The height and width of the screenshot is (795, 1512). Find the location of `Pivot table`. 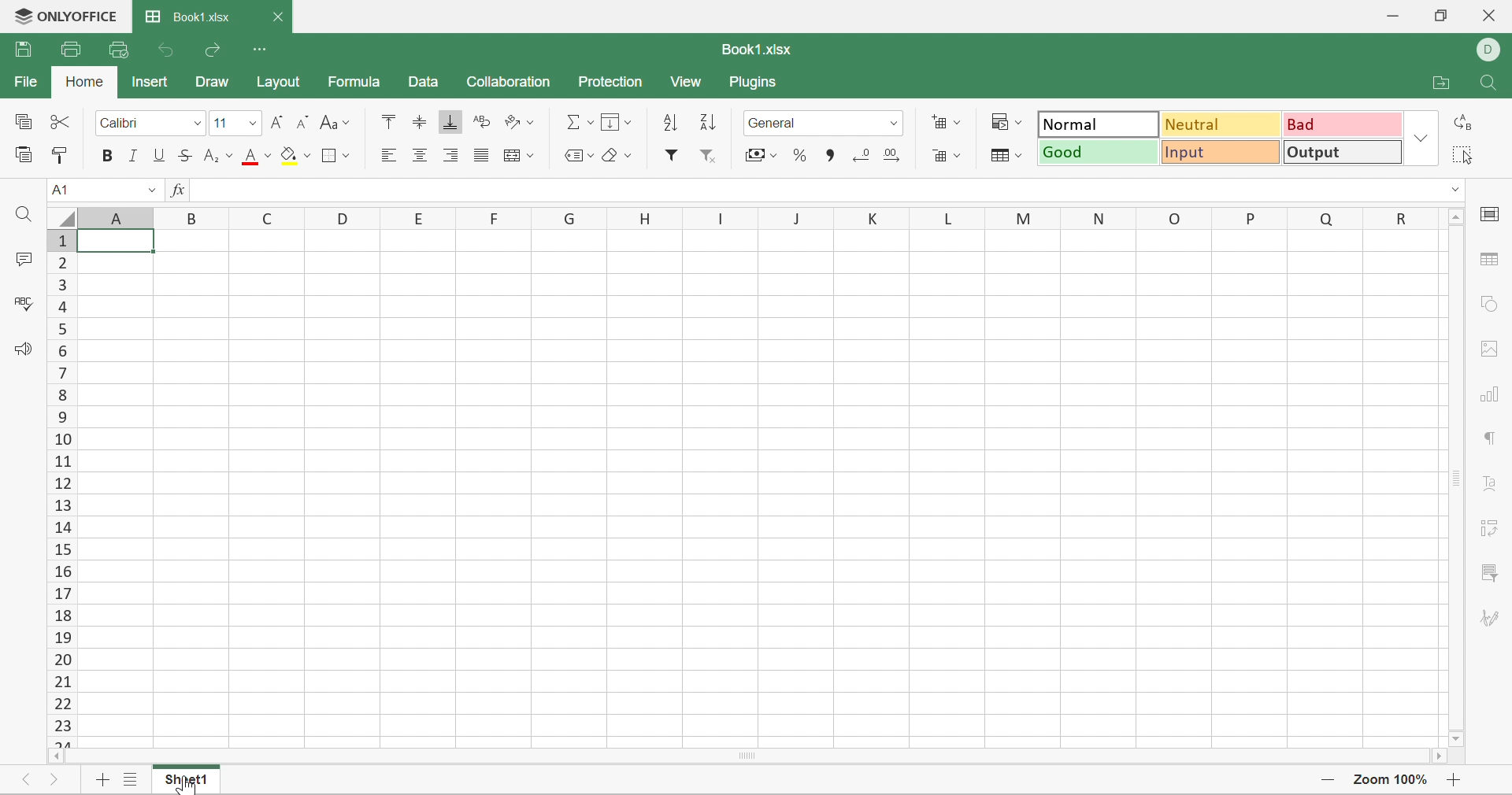

Pivot table is located at coordinates (1491, 527).